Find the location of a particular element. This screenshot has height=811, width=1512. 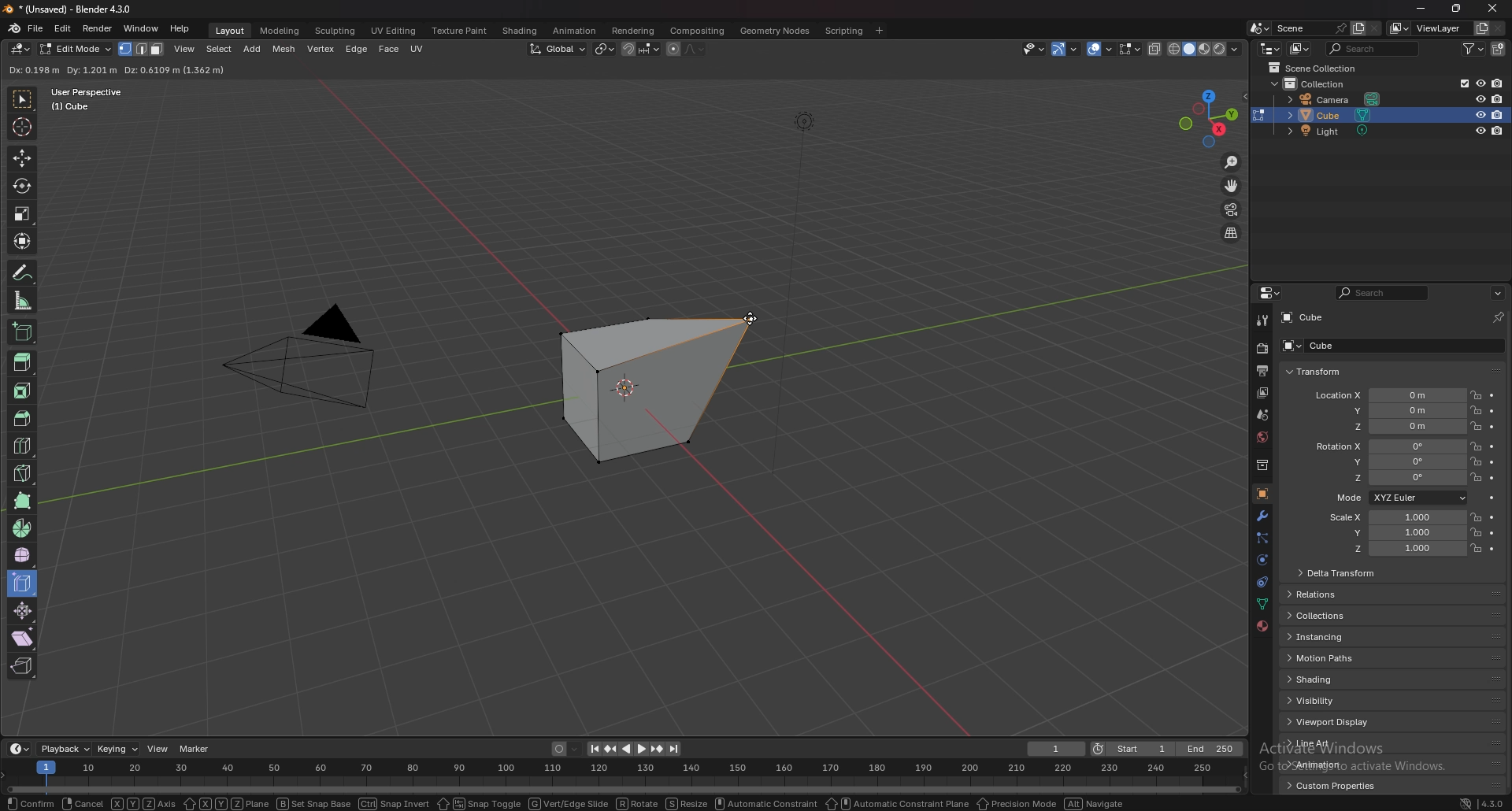

move is located at coordinates (23, 157).